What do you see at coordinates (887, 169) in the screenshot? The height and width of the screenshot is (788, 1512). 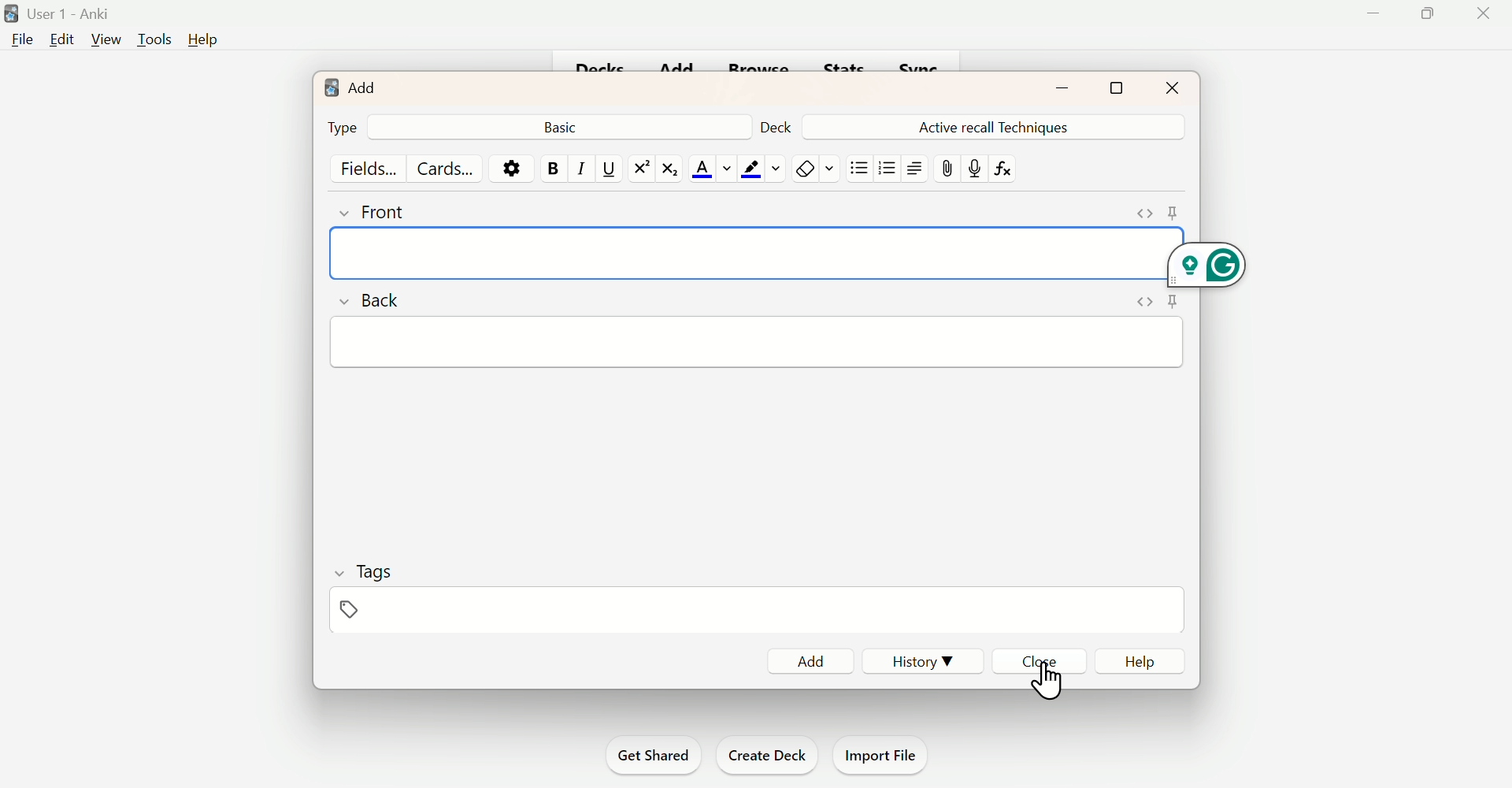 I see `Organised List` at bounding box center [887, 169].